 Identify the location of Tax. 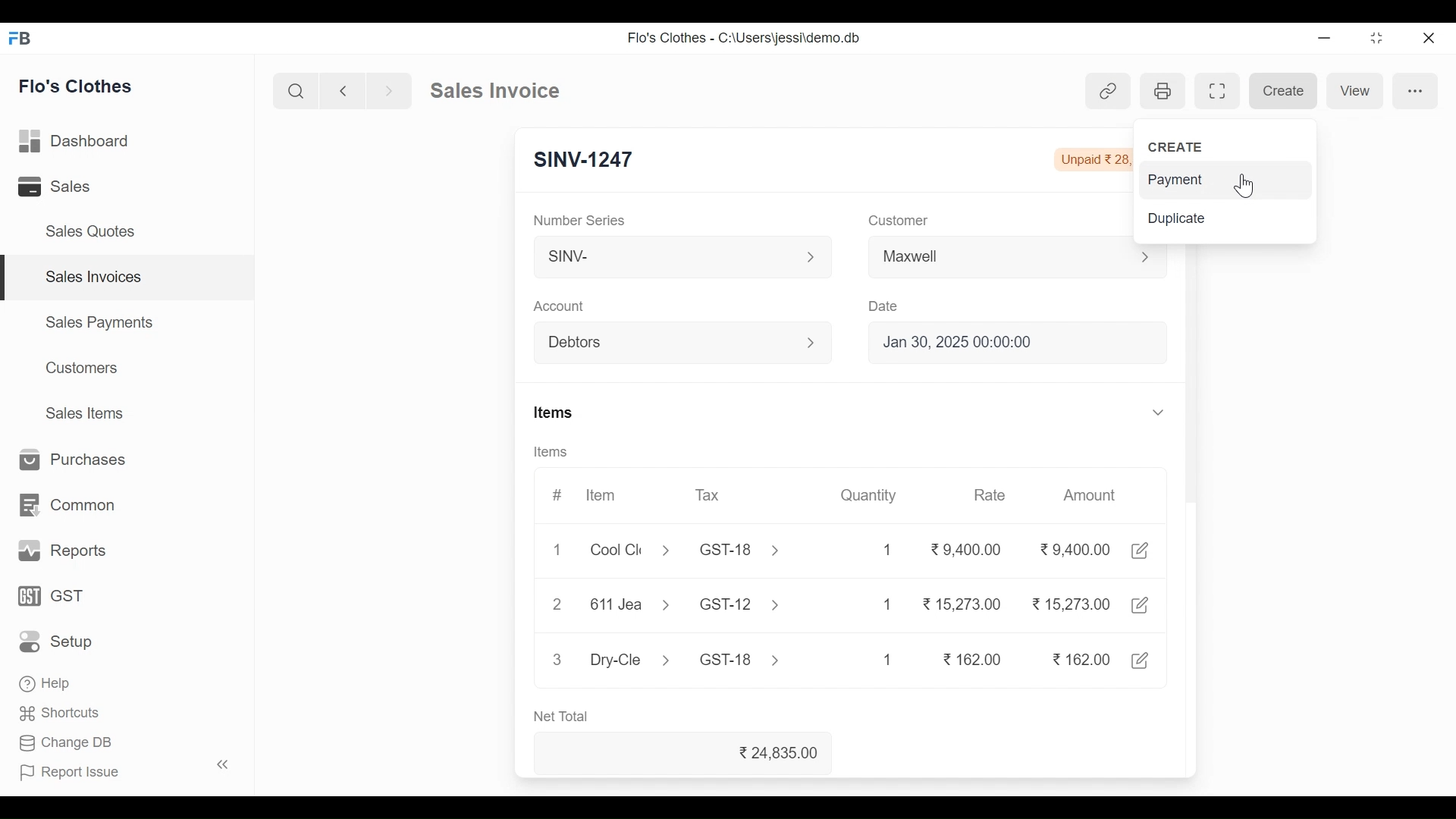
(711, 495).